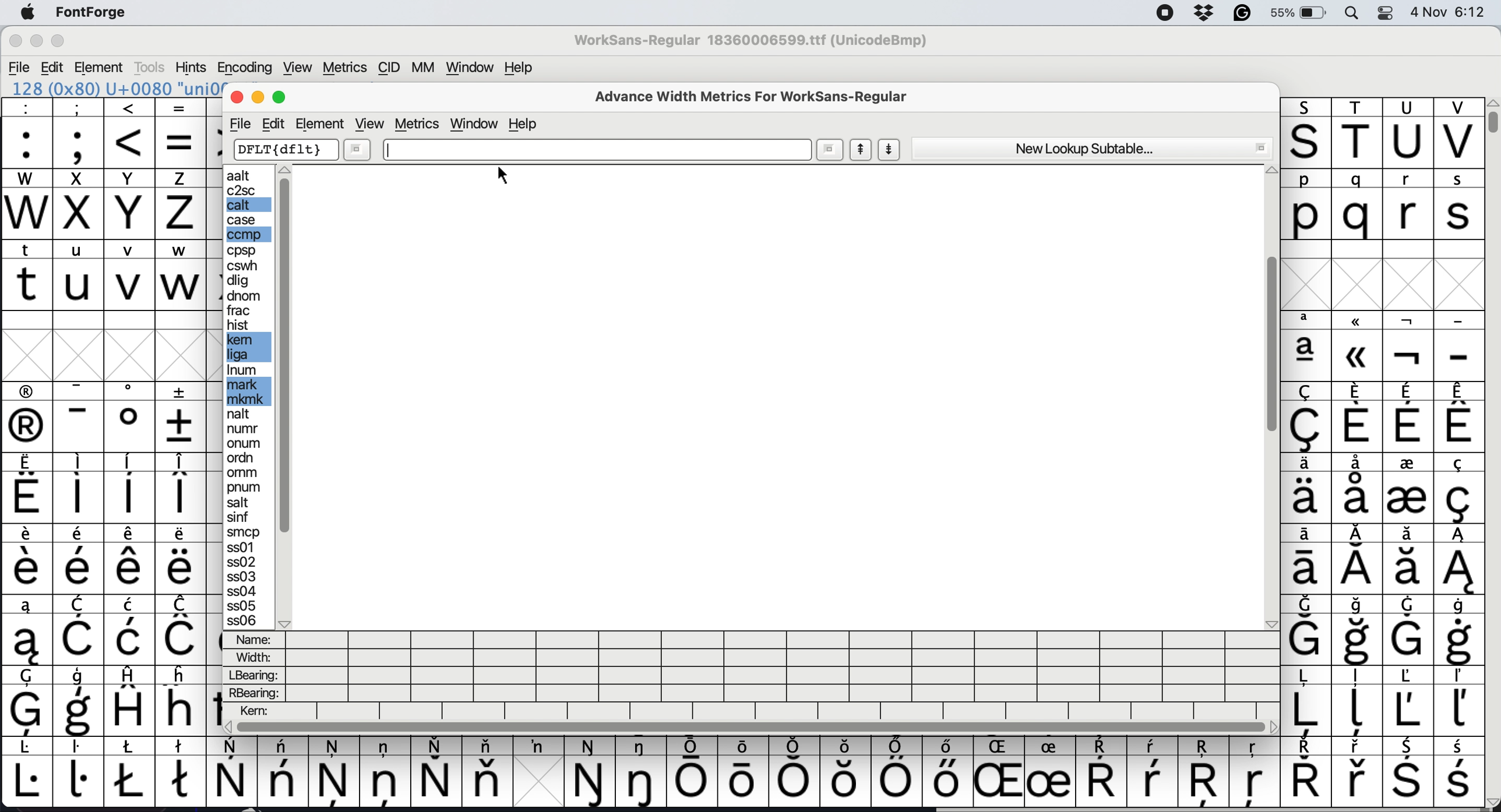 Image resolution: width=1501 pixels, height=812 pixels. What do you see at coordinates (251, 711) in the screenshot?
I see `kern` at bounding box center [251, 711].